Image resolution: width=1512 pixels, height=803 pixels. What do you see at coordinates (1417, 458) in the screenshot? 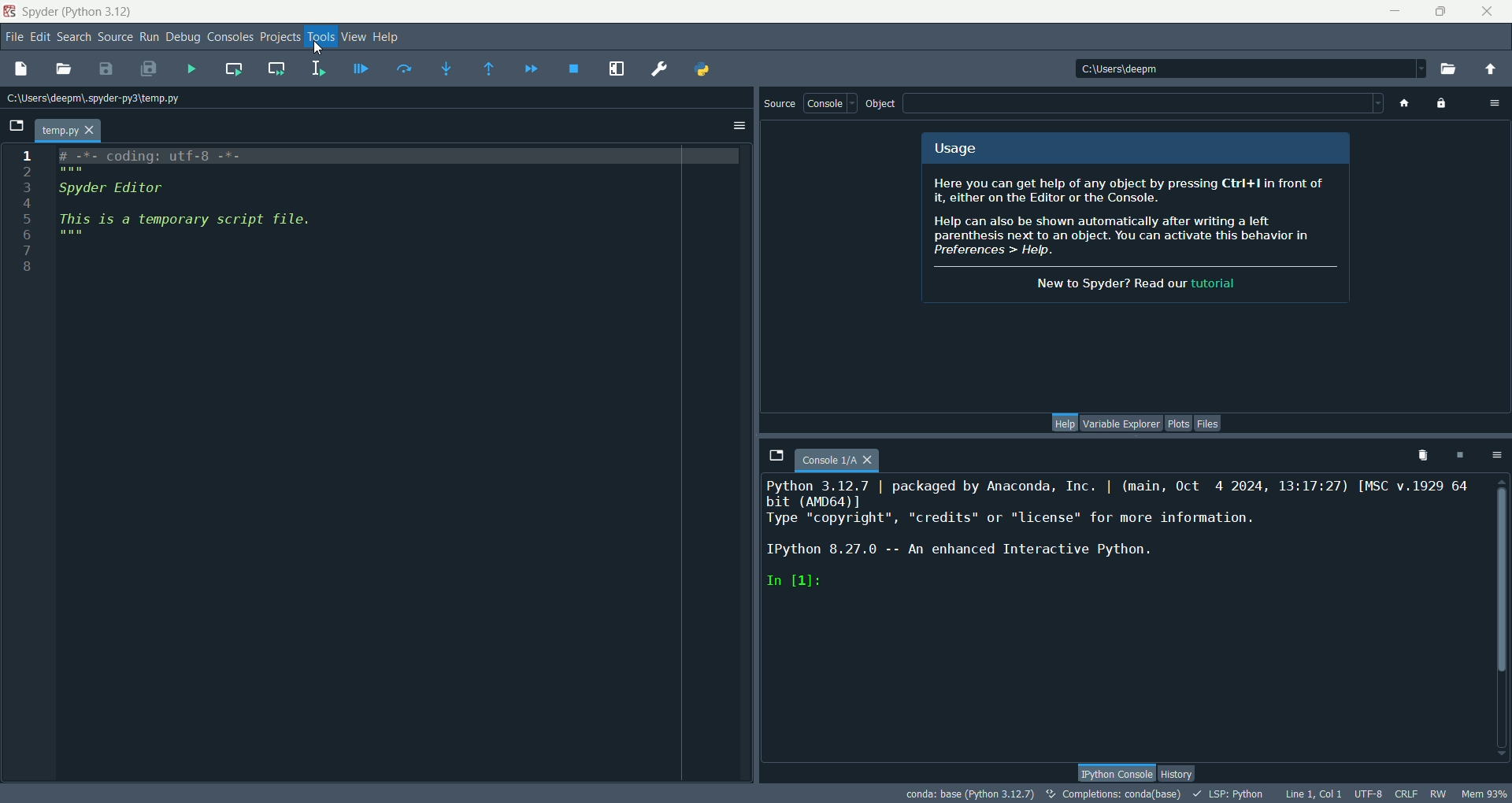
I see `filesremove` at bounding box center [1417, 458].